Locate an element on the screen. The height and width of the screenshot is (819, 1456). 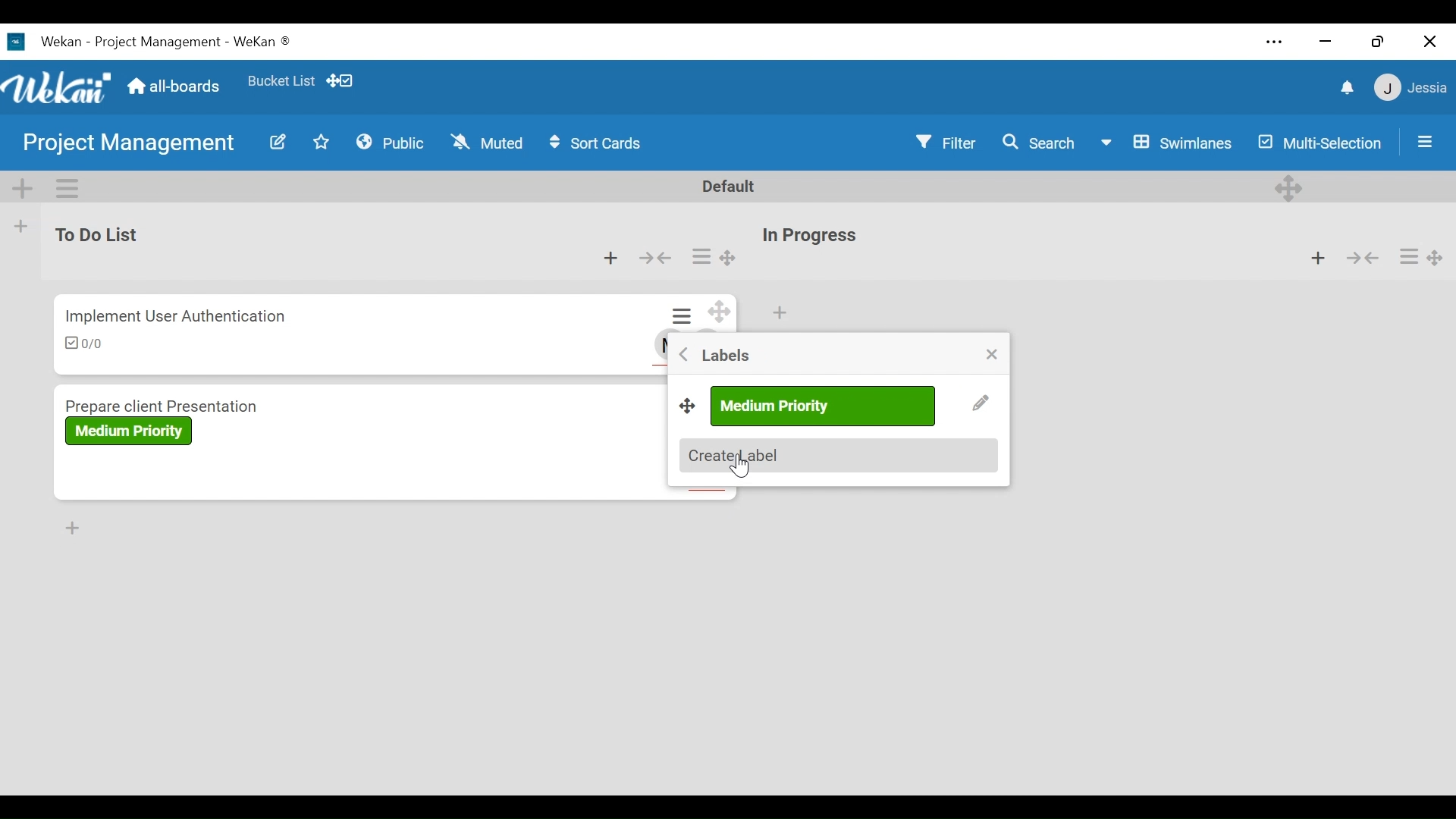
Desktop drag handles is located at coordinates (1439, 257).